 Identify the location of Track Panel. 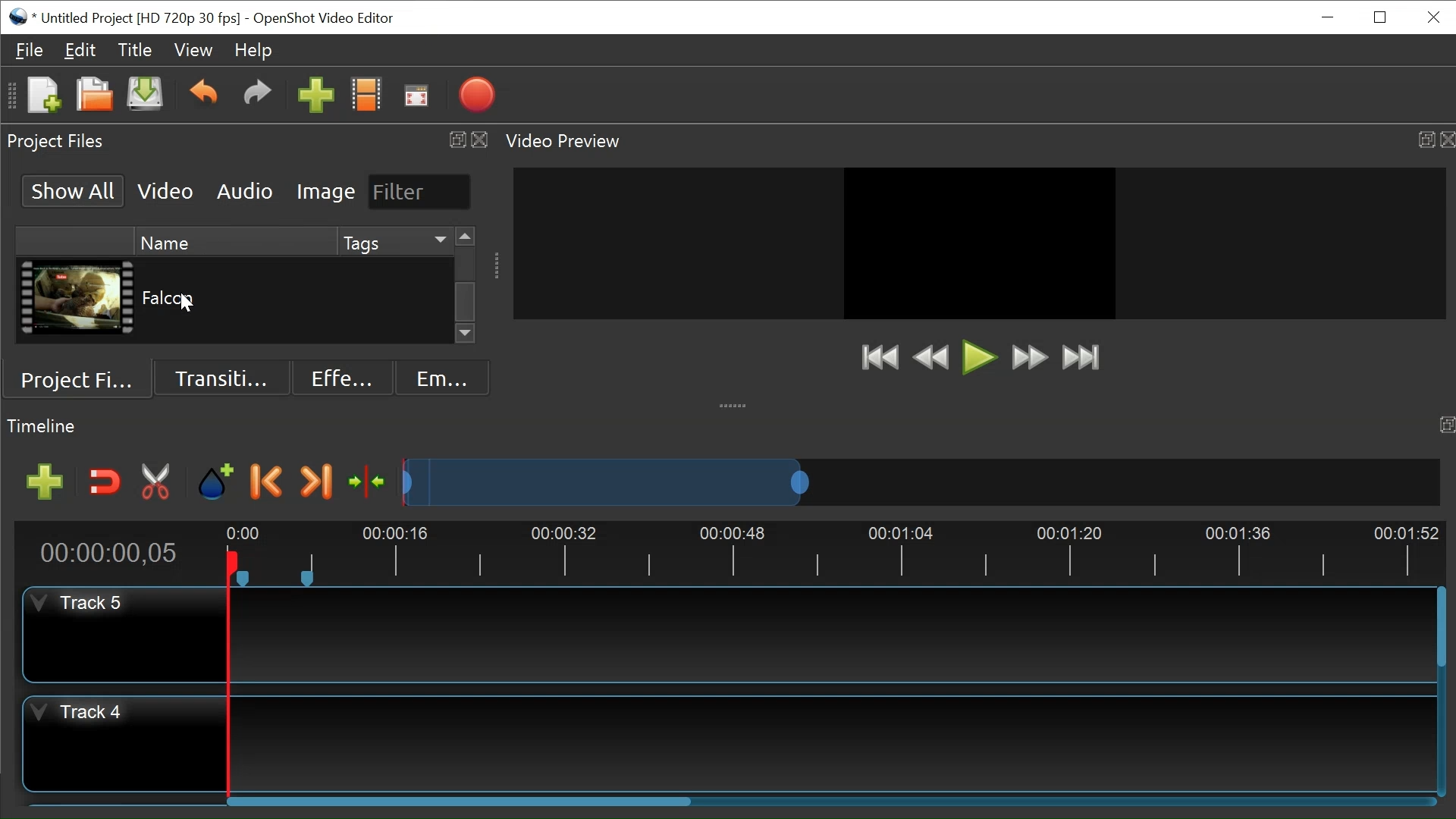
(833, 741).